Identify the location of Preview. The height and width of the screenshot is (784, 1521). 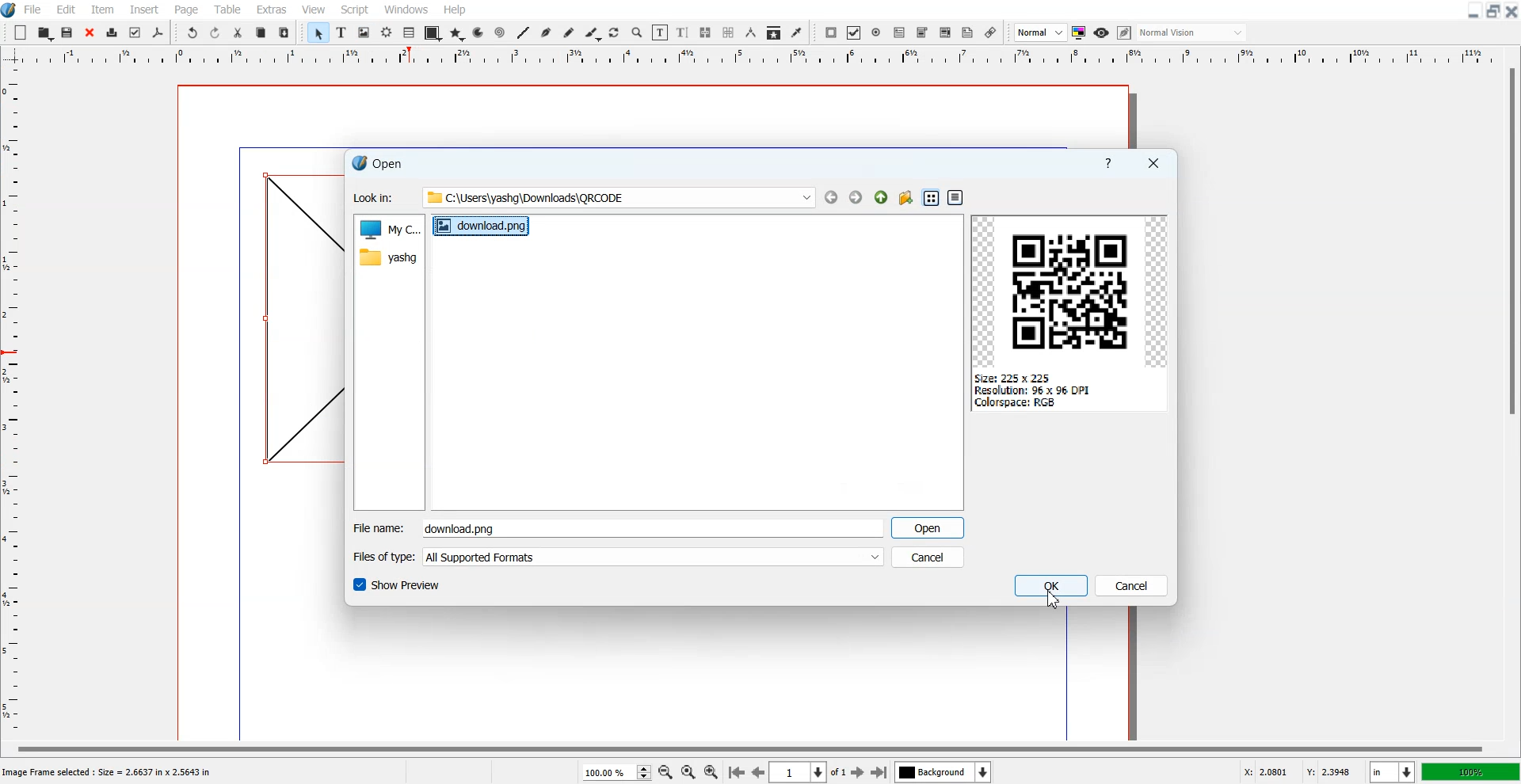
(1101, 32).